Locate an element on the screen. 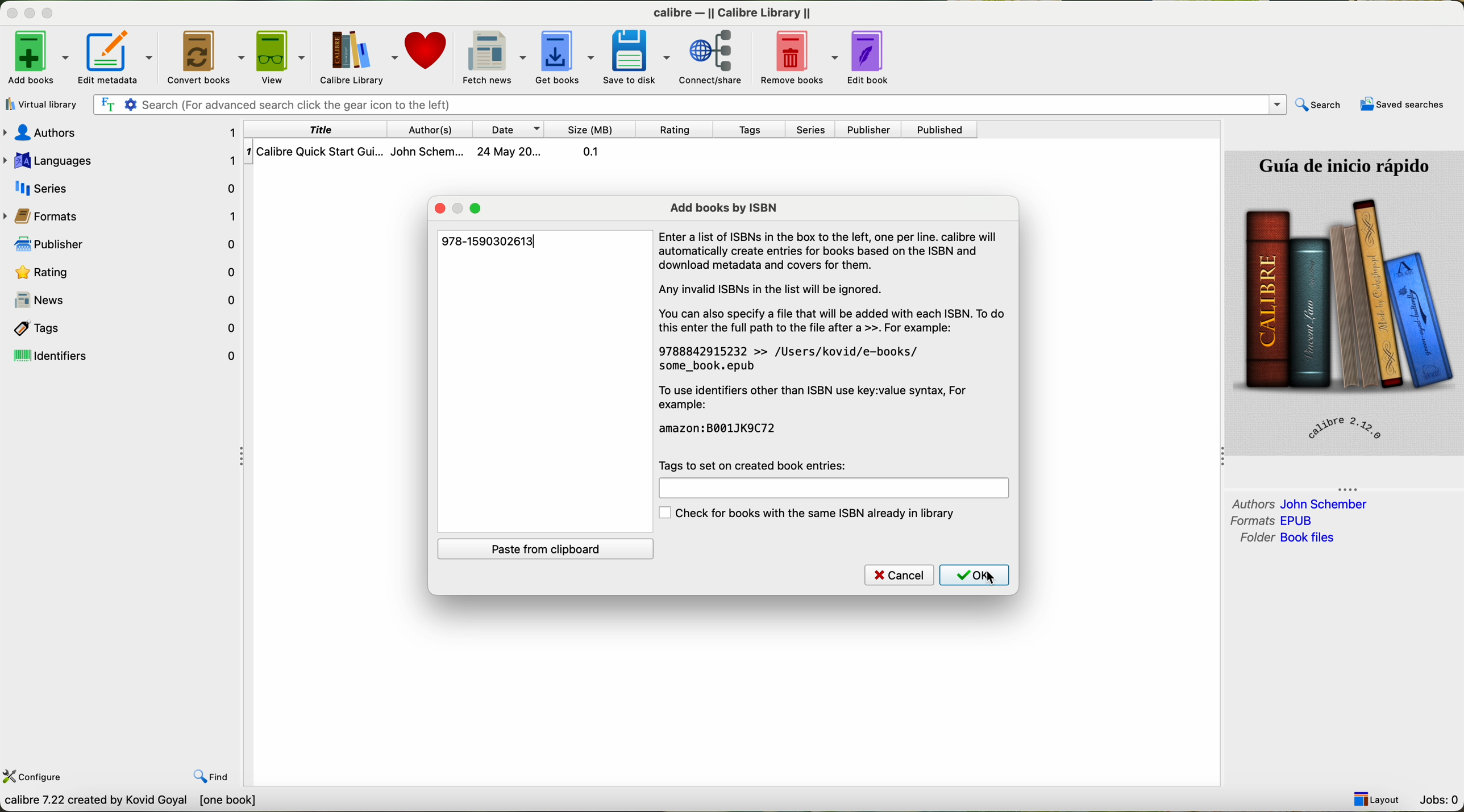  news is located at coordinates (130, 299).